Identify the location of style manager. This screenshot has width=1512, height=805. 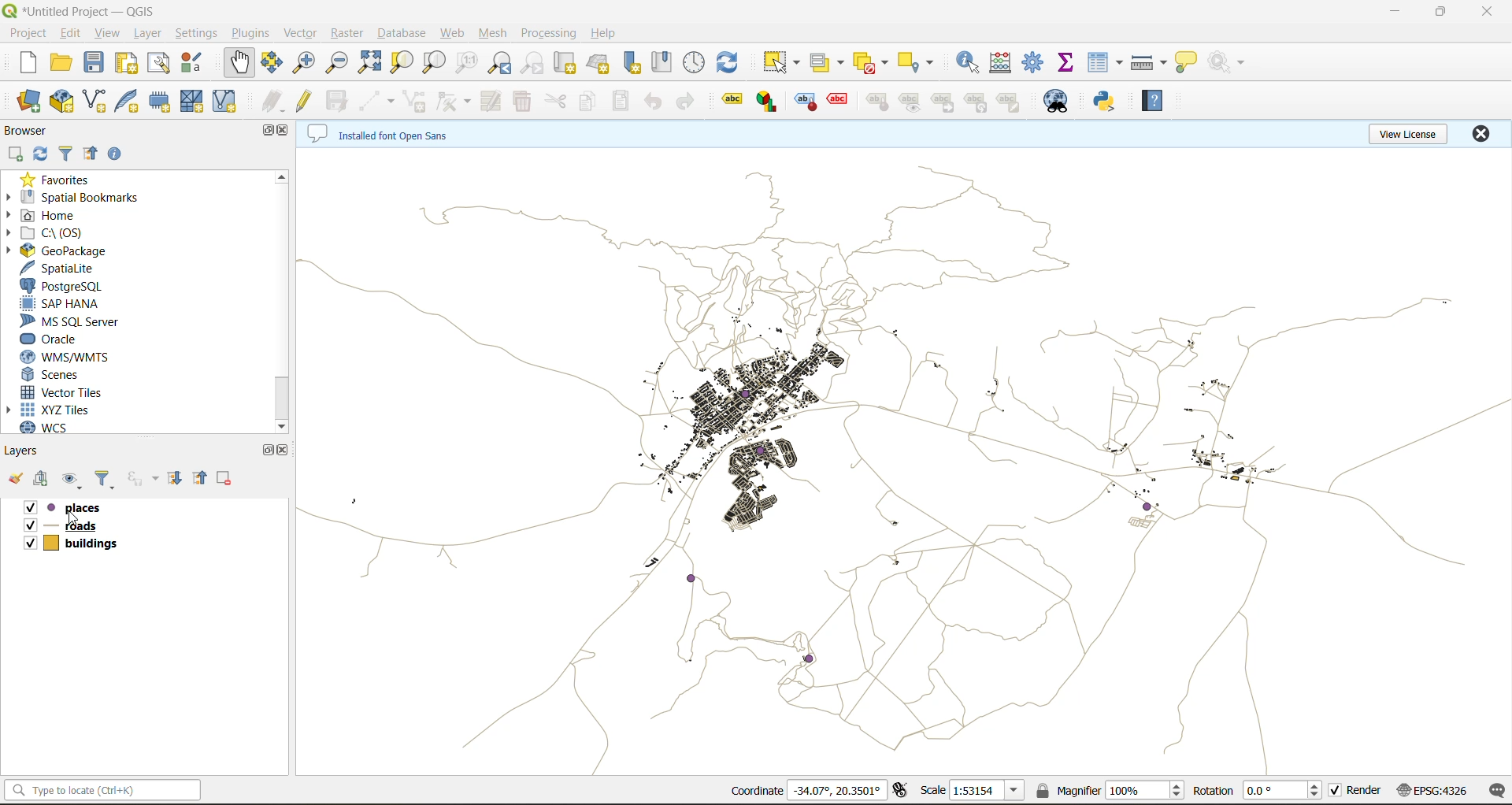
(198, 63).